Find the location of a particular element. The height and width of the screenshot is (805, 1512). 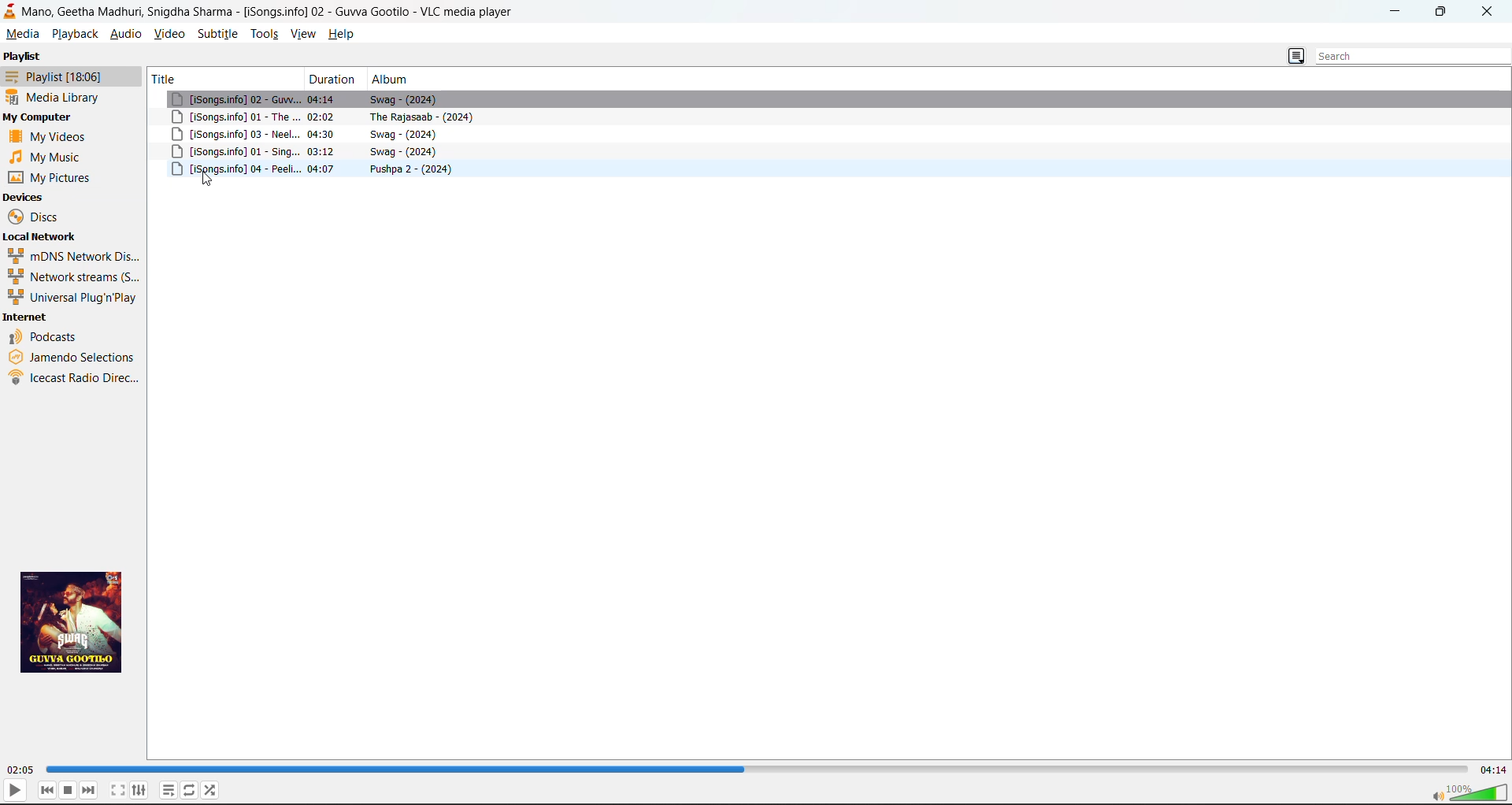

song is located at coordinates (830, 118).